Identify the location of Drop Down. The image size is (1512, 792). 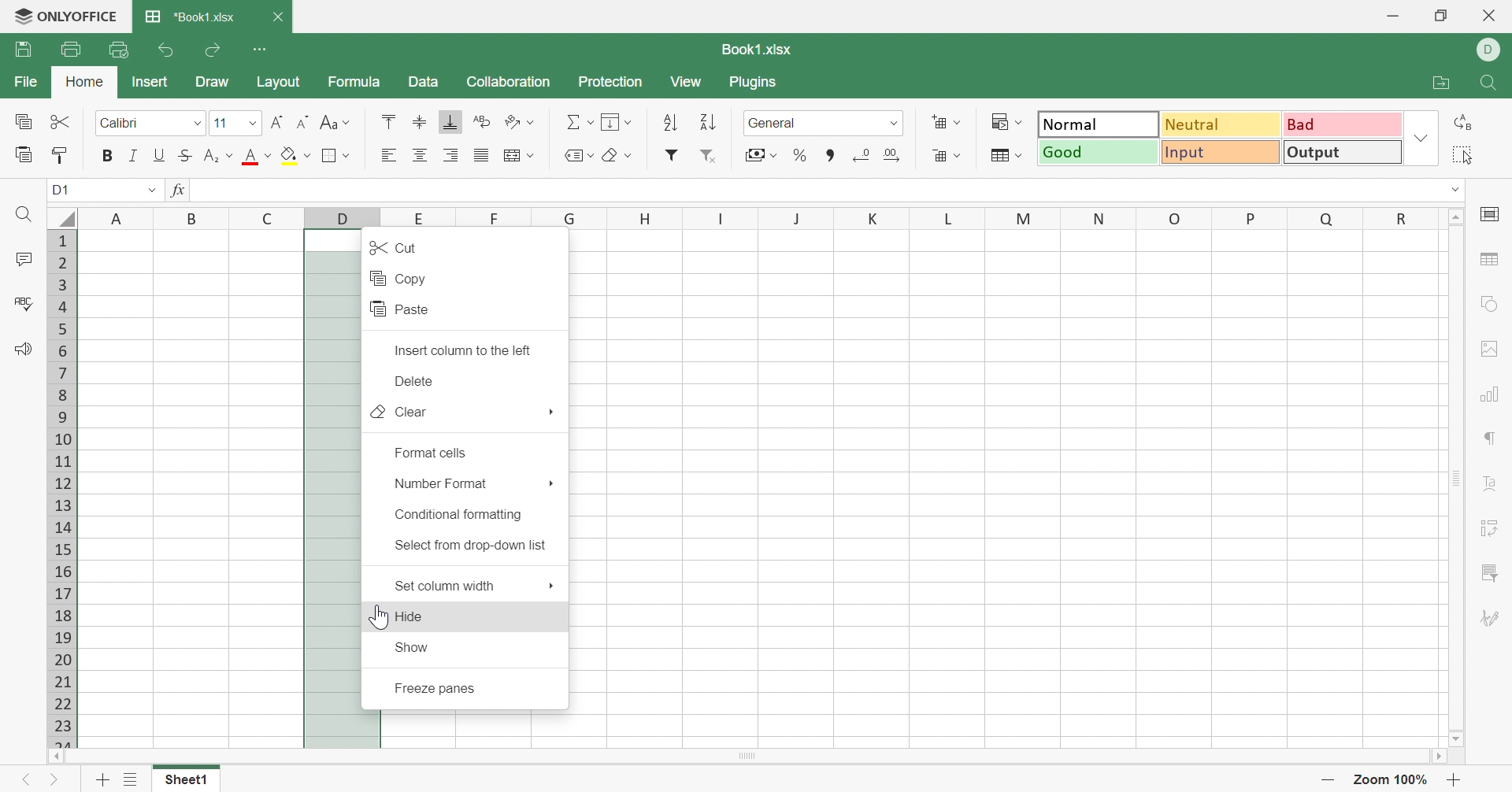
(347, 156).